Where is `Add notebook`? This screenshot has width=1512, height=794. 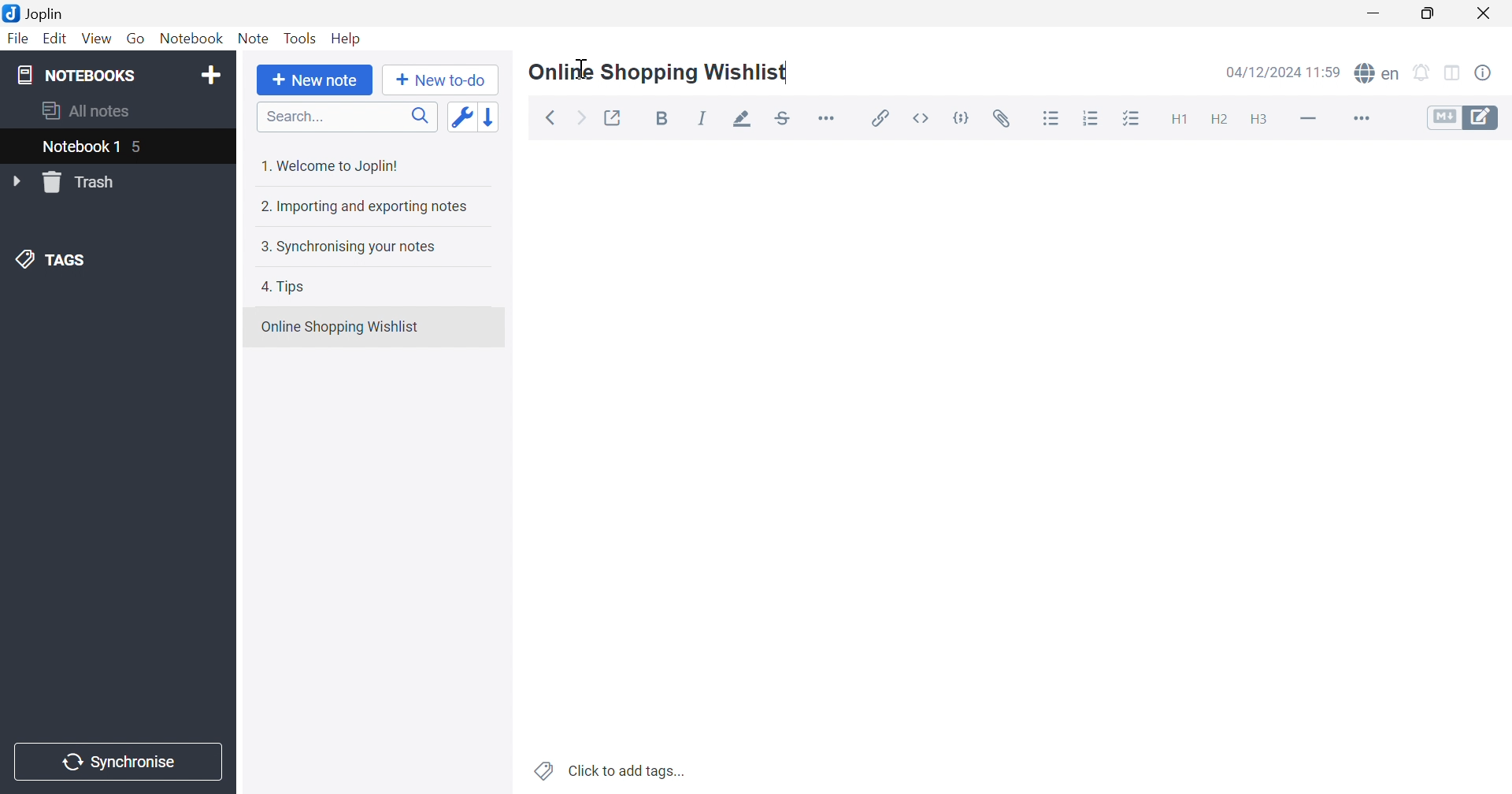
Add notebook is located at coordinates (213, 76).